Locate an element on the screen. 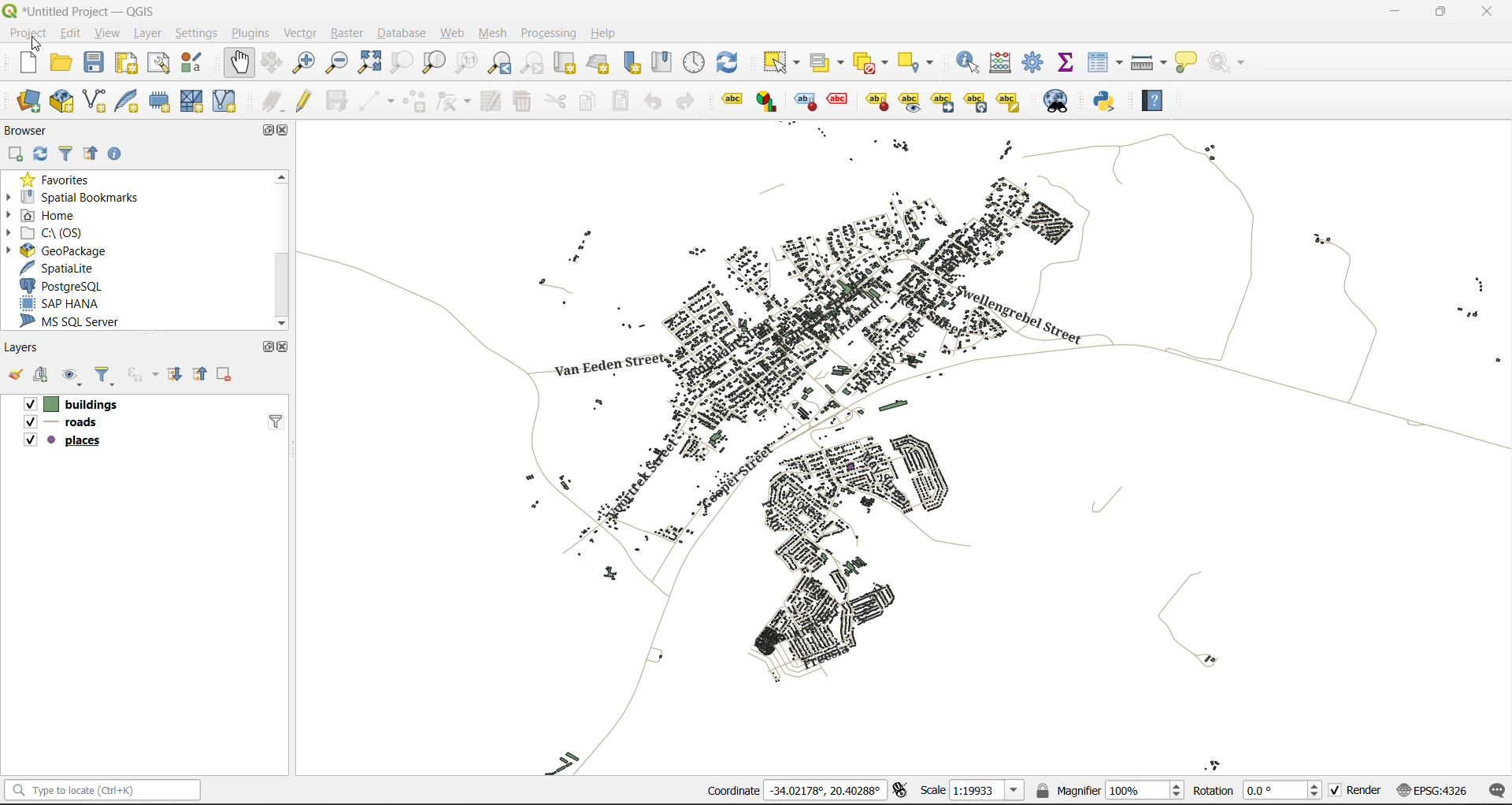  cursor is located at coordinates (39, 43).